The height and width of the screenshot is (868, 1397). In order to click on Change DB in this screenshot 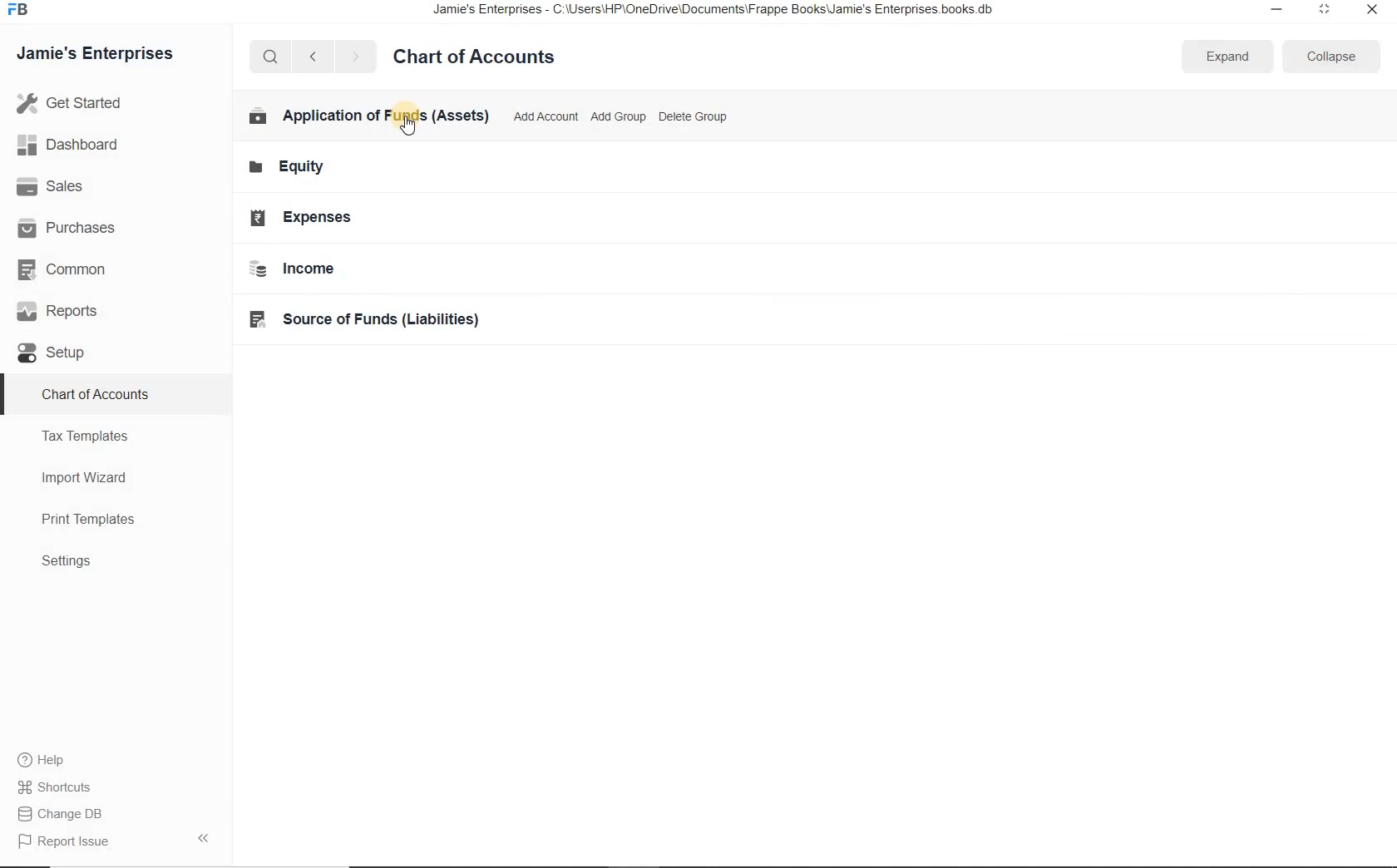, I will do `click(65, 815)`.